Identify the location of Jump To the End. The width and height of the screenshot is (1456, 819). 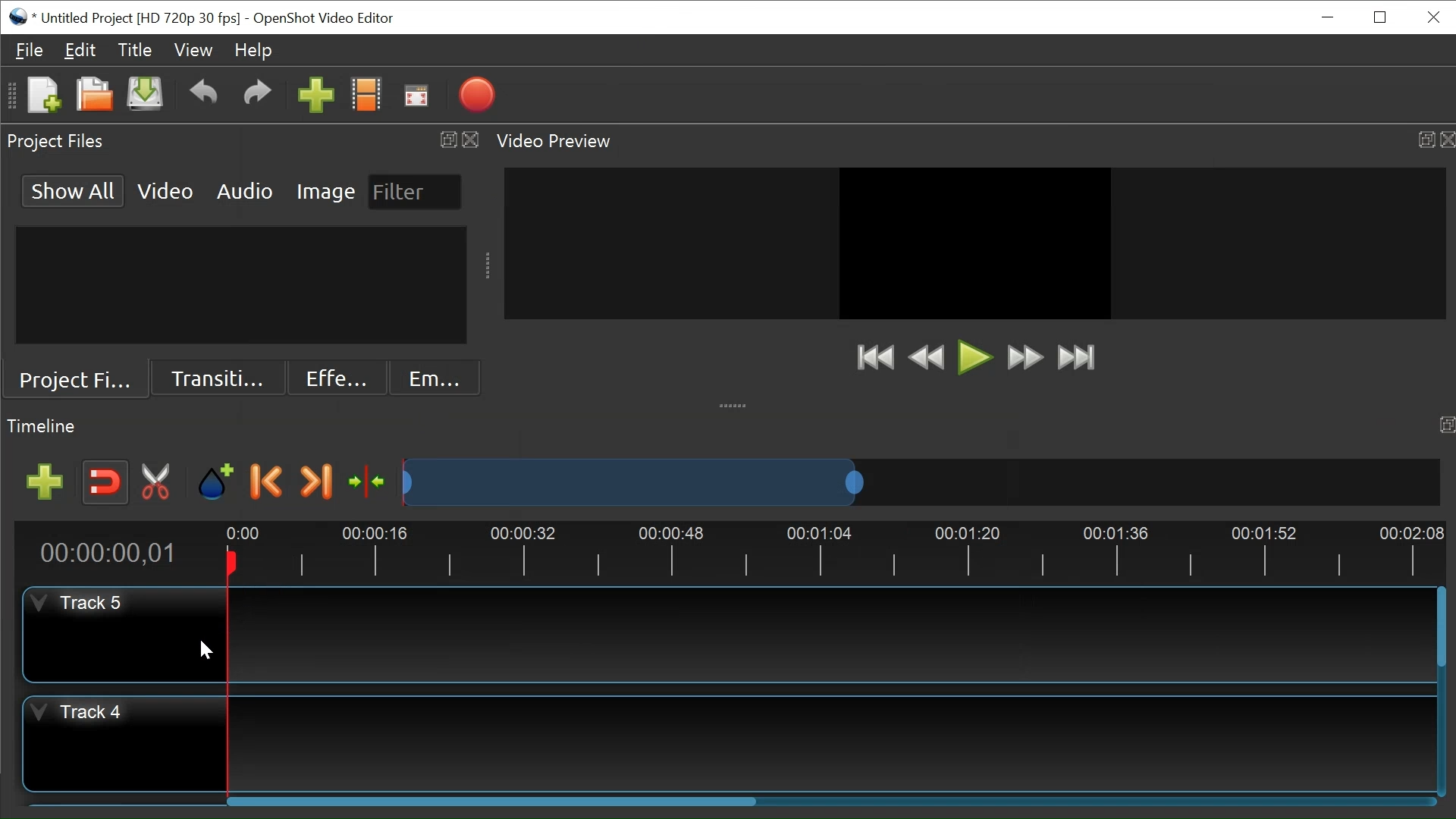
(1077, 357).